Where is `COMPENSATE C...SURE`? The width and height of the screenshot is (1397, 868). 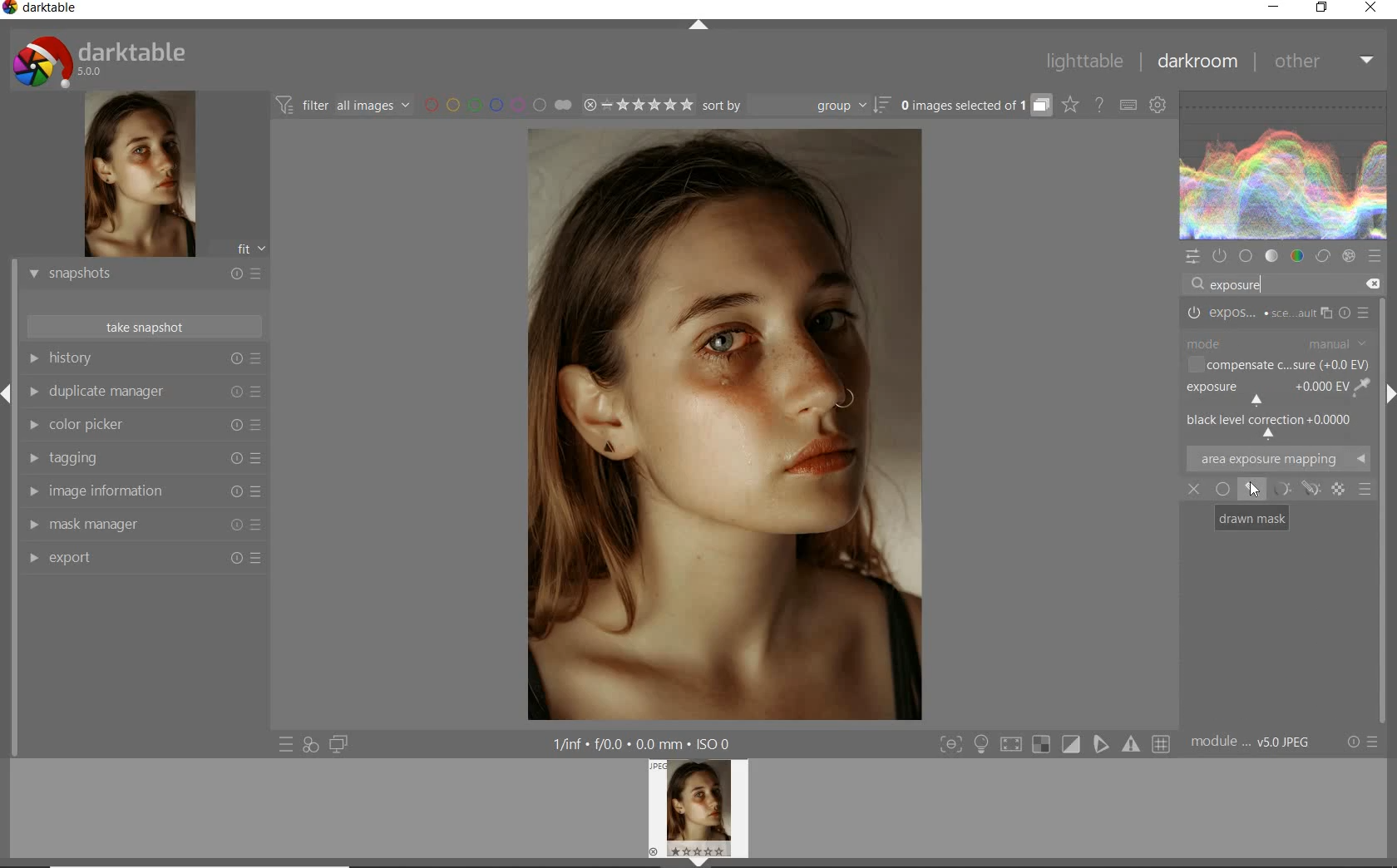 COMPENSATE C...SURE is located at coordinates (1276, 364).